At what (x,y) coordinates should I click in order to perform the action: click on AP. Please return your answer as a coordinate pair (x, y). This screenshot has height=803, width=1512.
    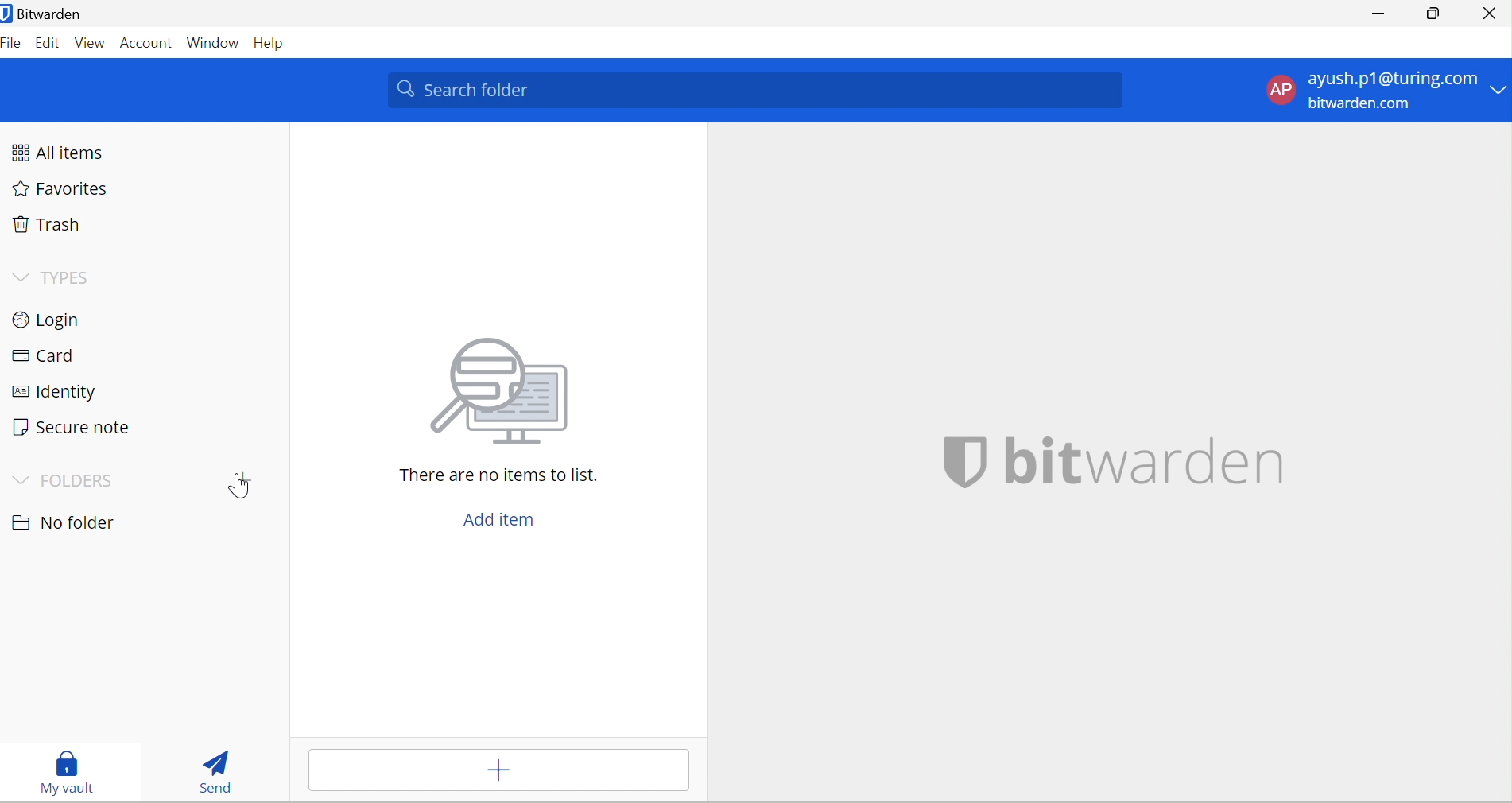
    Looking at the image, I should click on (1278, 88).